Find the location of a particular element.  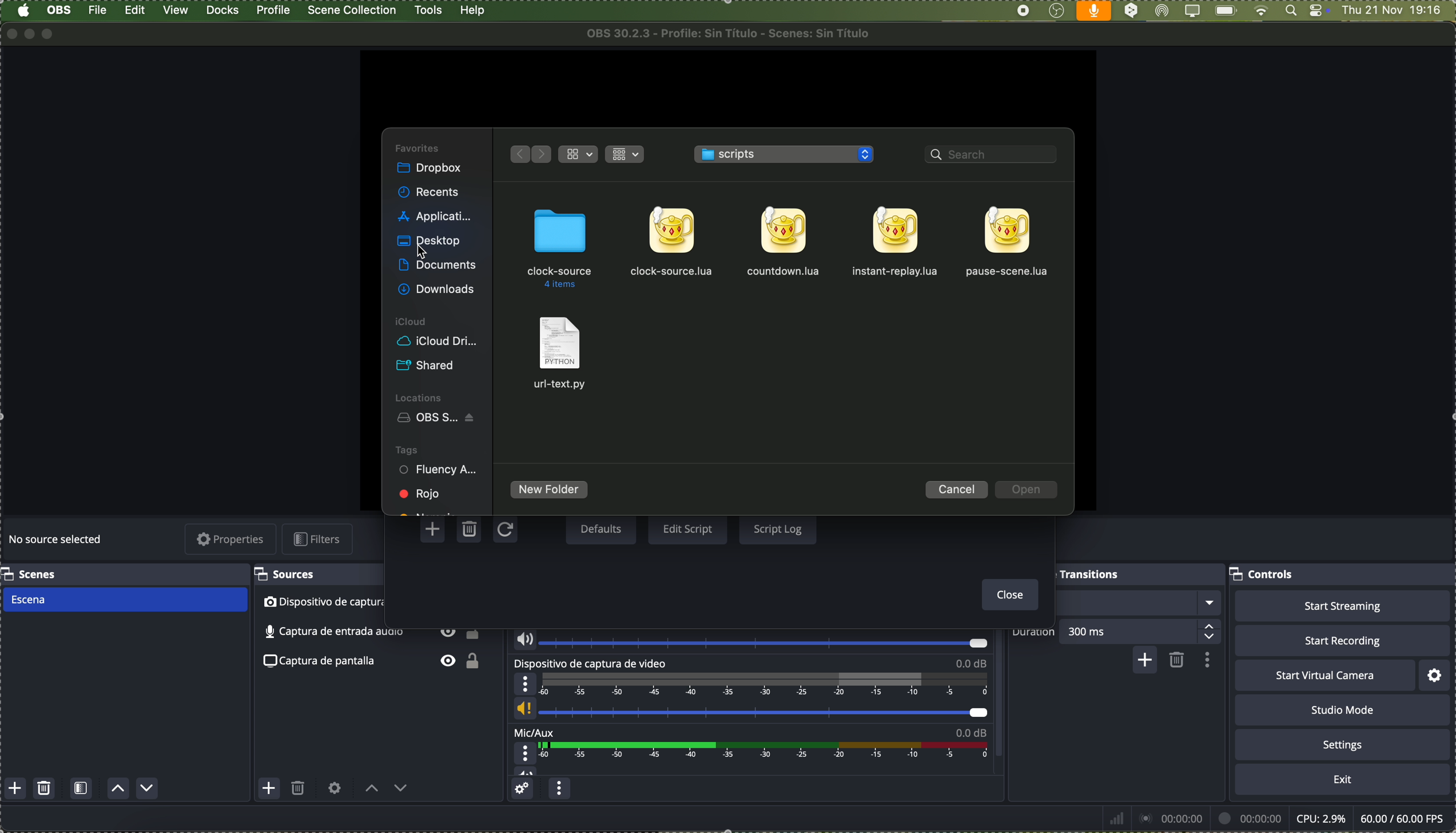

audio input capture is located at coordinates (371, 632).